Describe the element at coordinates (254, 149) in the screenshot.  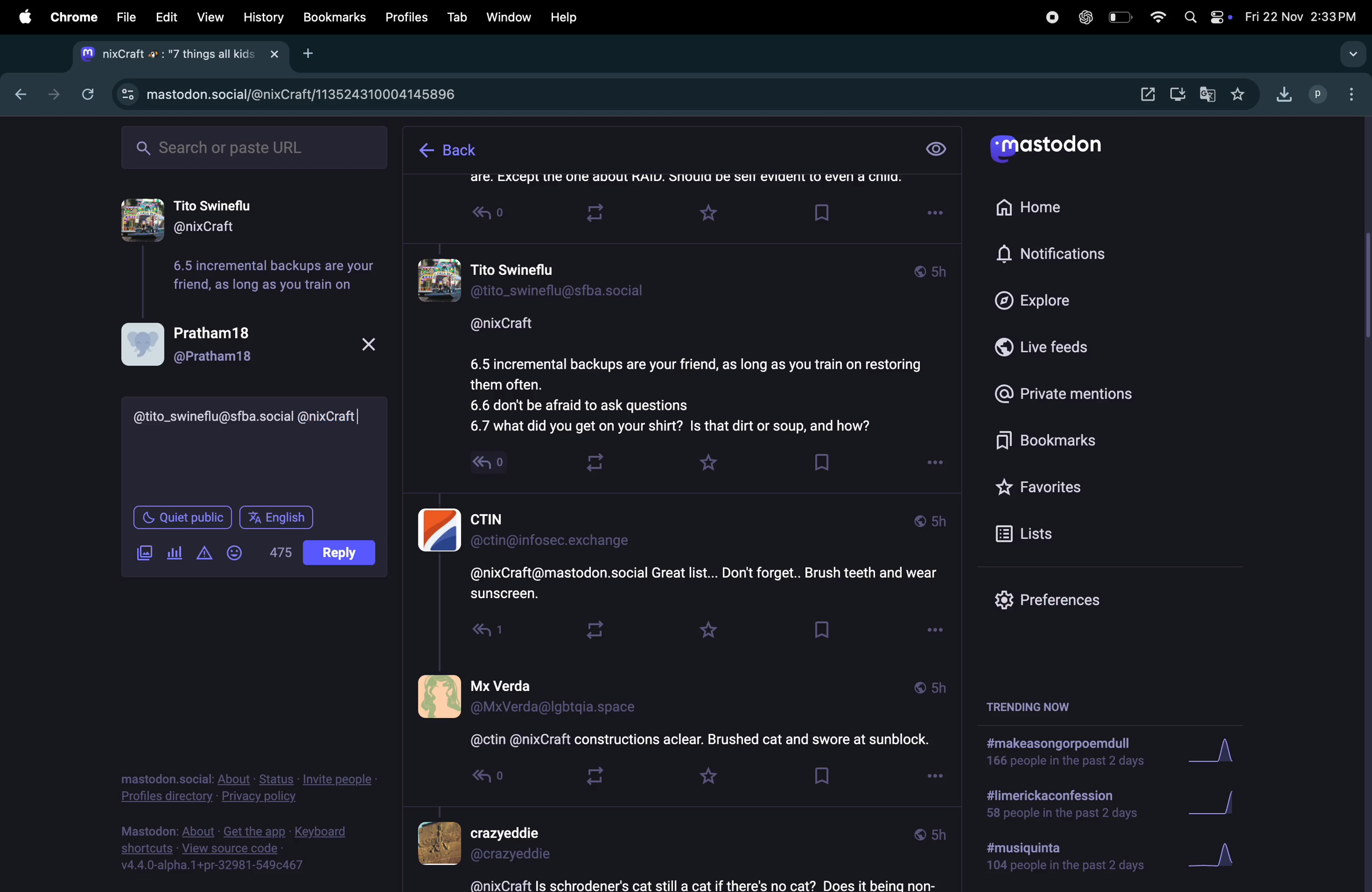
I see `search bar` at that location.